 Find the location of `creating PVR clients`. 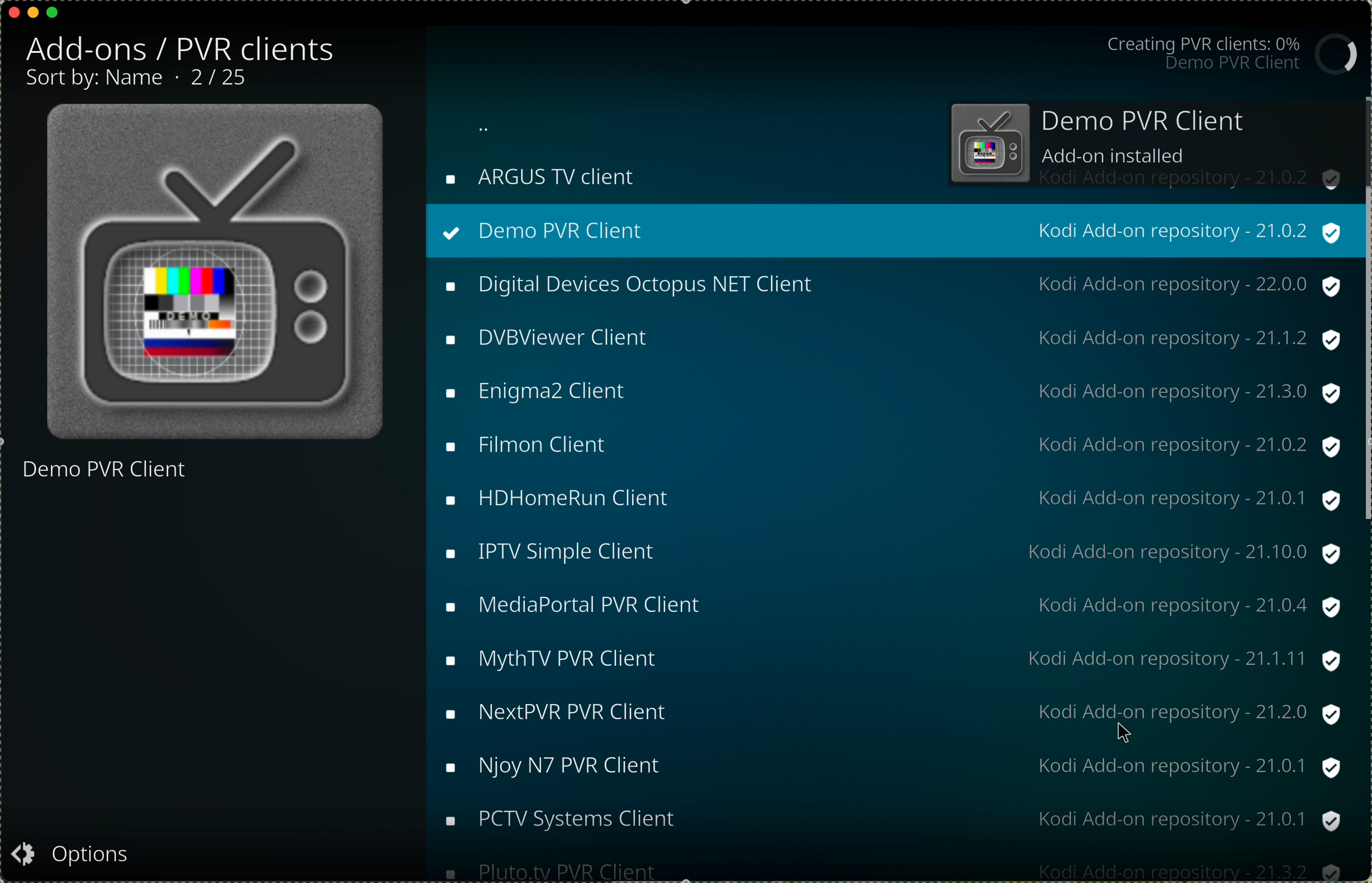

creating PVR clients is located at coordinates (1237, 54).